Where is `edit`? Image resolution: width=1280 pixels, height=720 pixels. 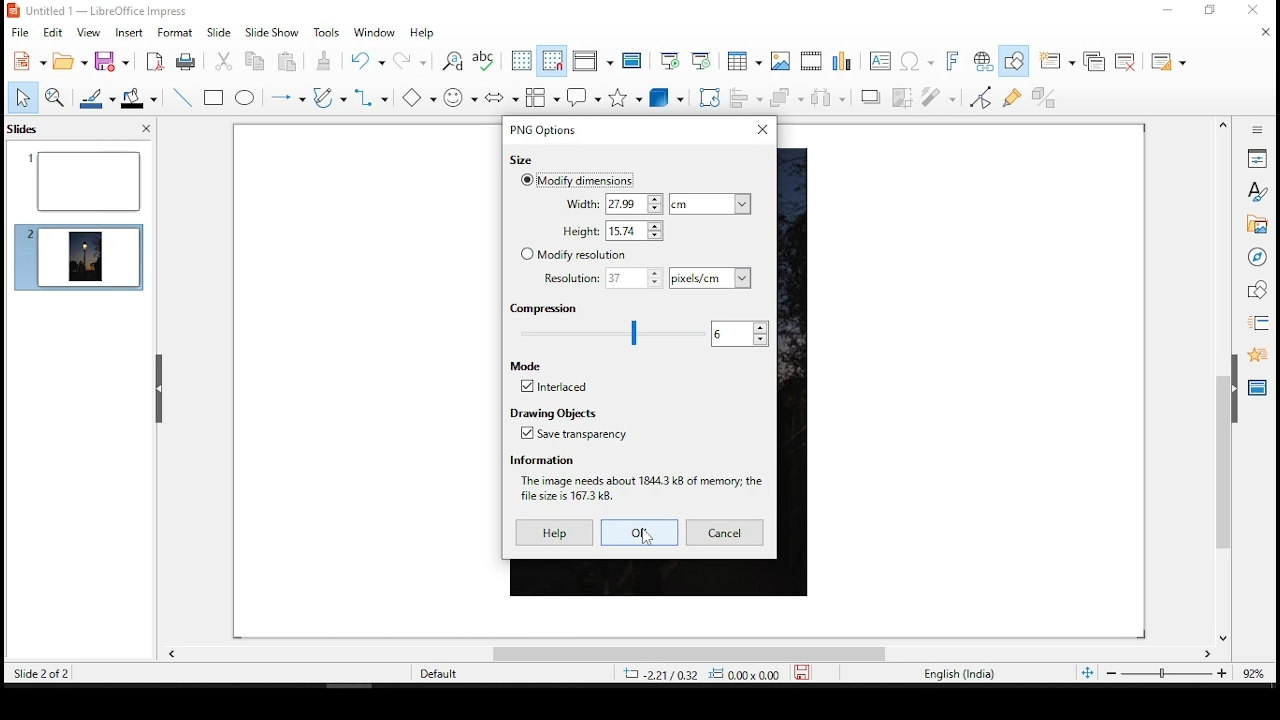
edit is located at coordinates (51, 31).